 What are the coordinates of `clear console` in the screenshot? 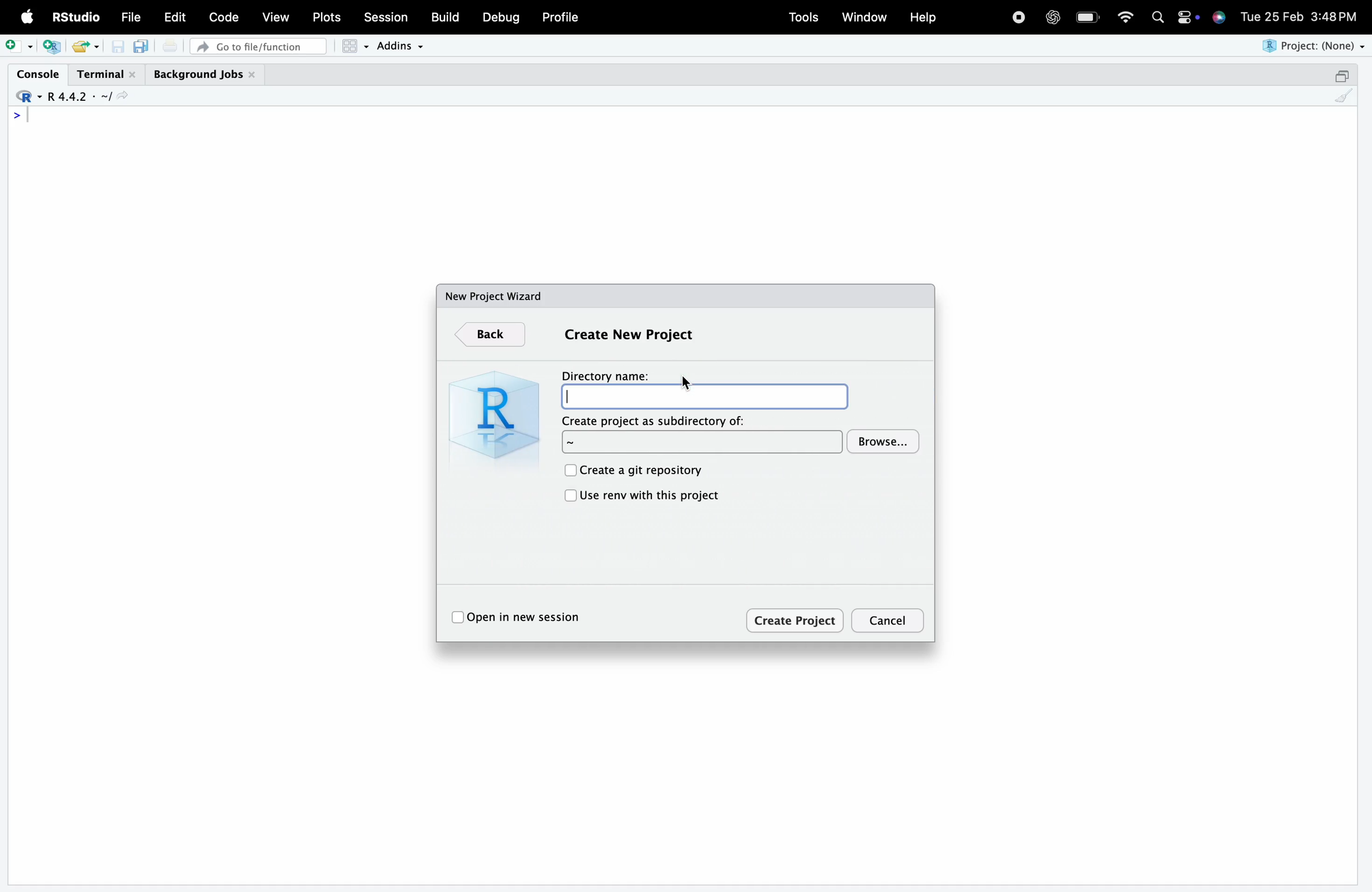 It's located at (1344, 96).